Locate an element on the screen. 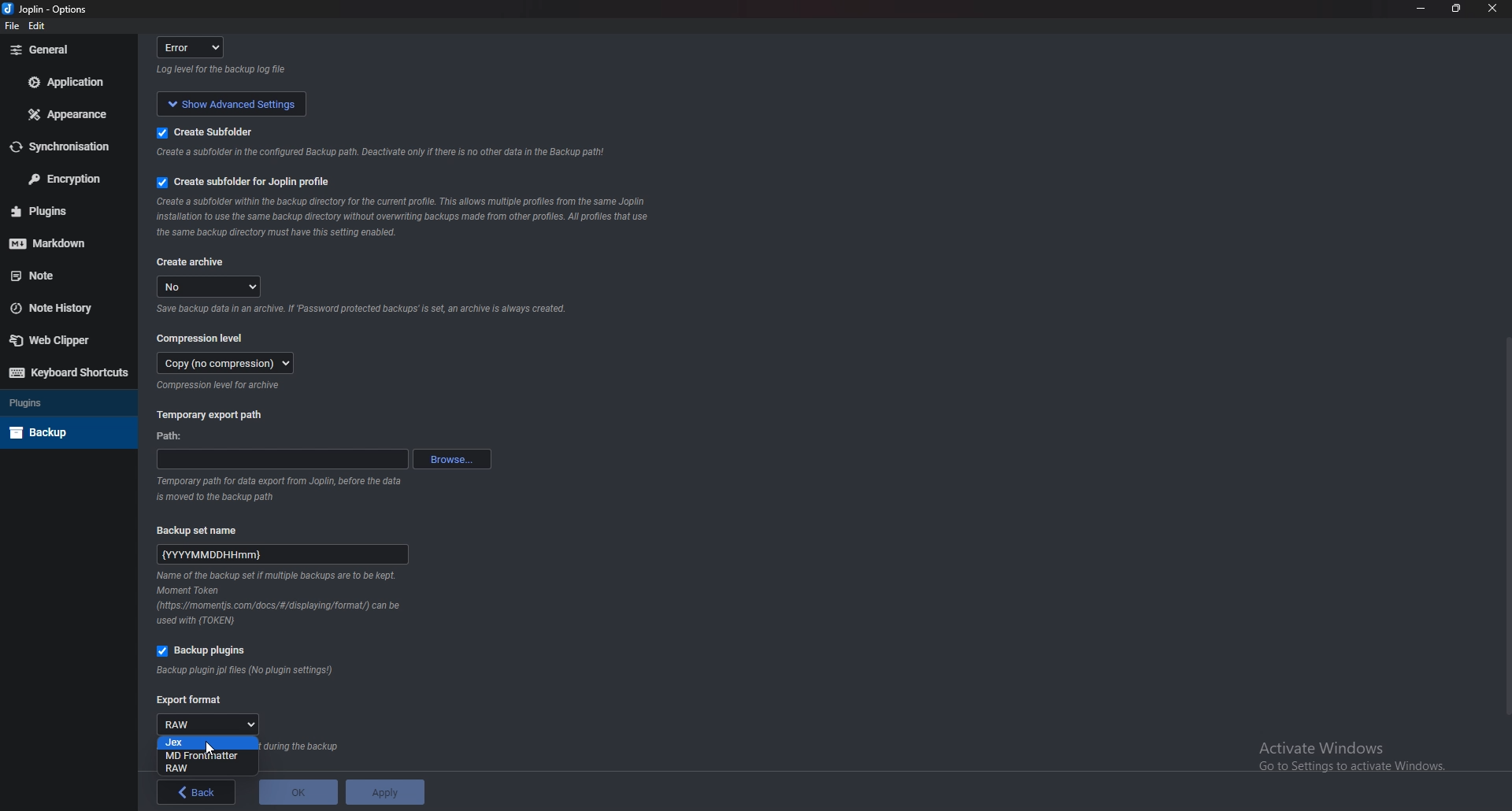  Compression level is located at coordinates (203, 337).